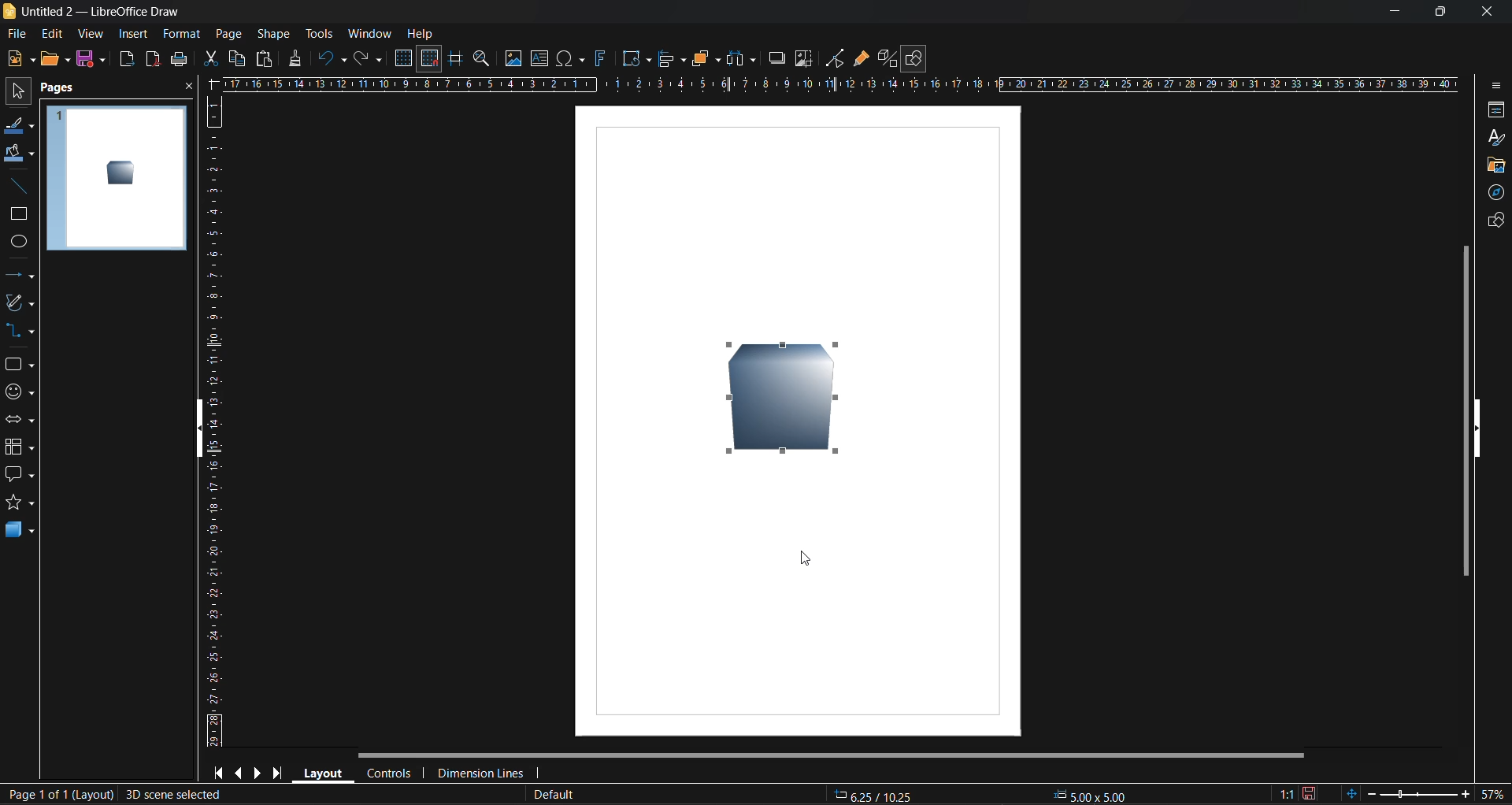 This screenshot has width=1512, height=805. I want to click on image, so click(513, 60).